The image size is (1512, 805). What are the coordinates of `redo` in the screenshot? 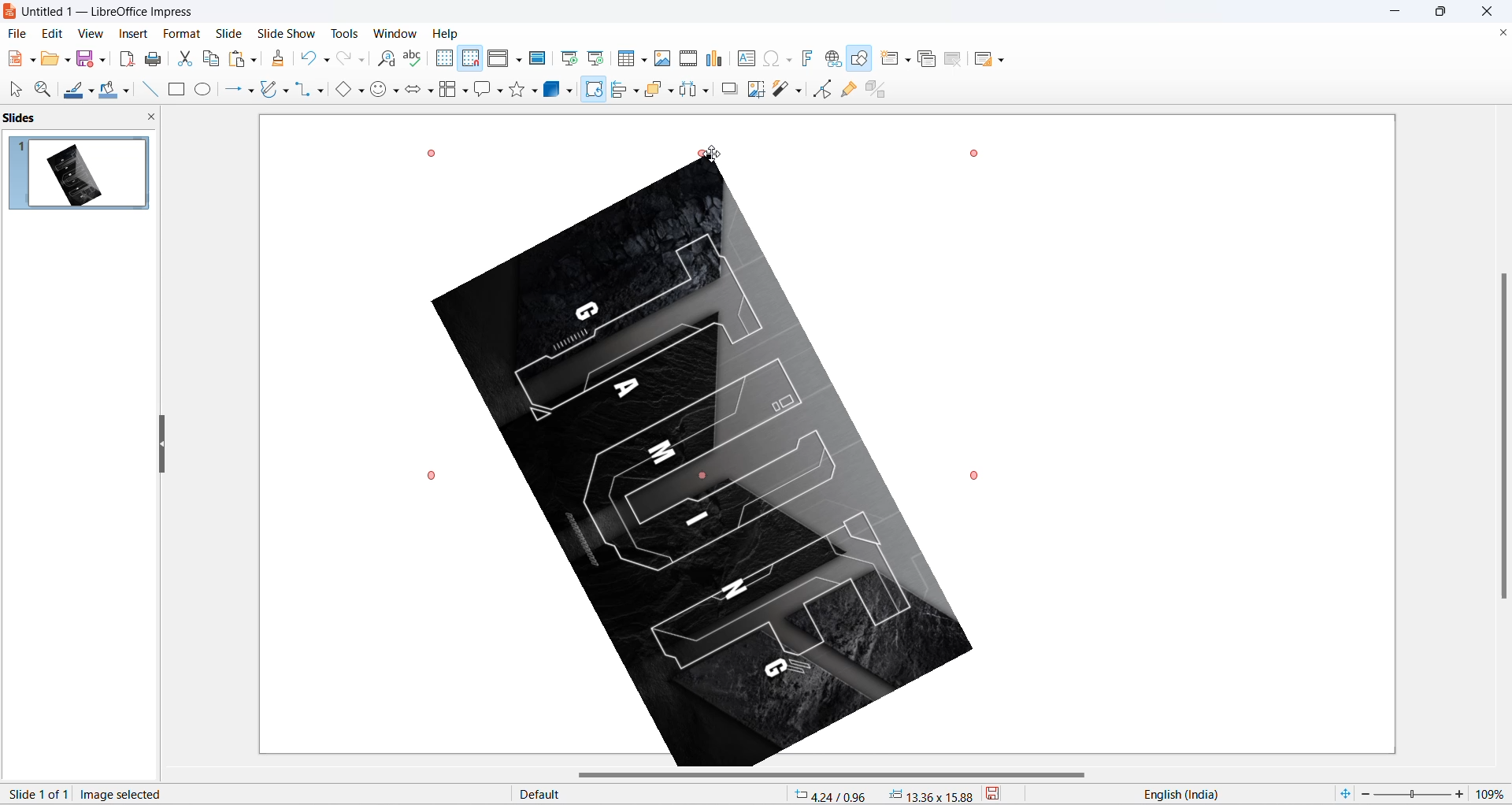 It's located at (344, 59).